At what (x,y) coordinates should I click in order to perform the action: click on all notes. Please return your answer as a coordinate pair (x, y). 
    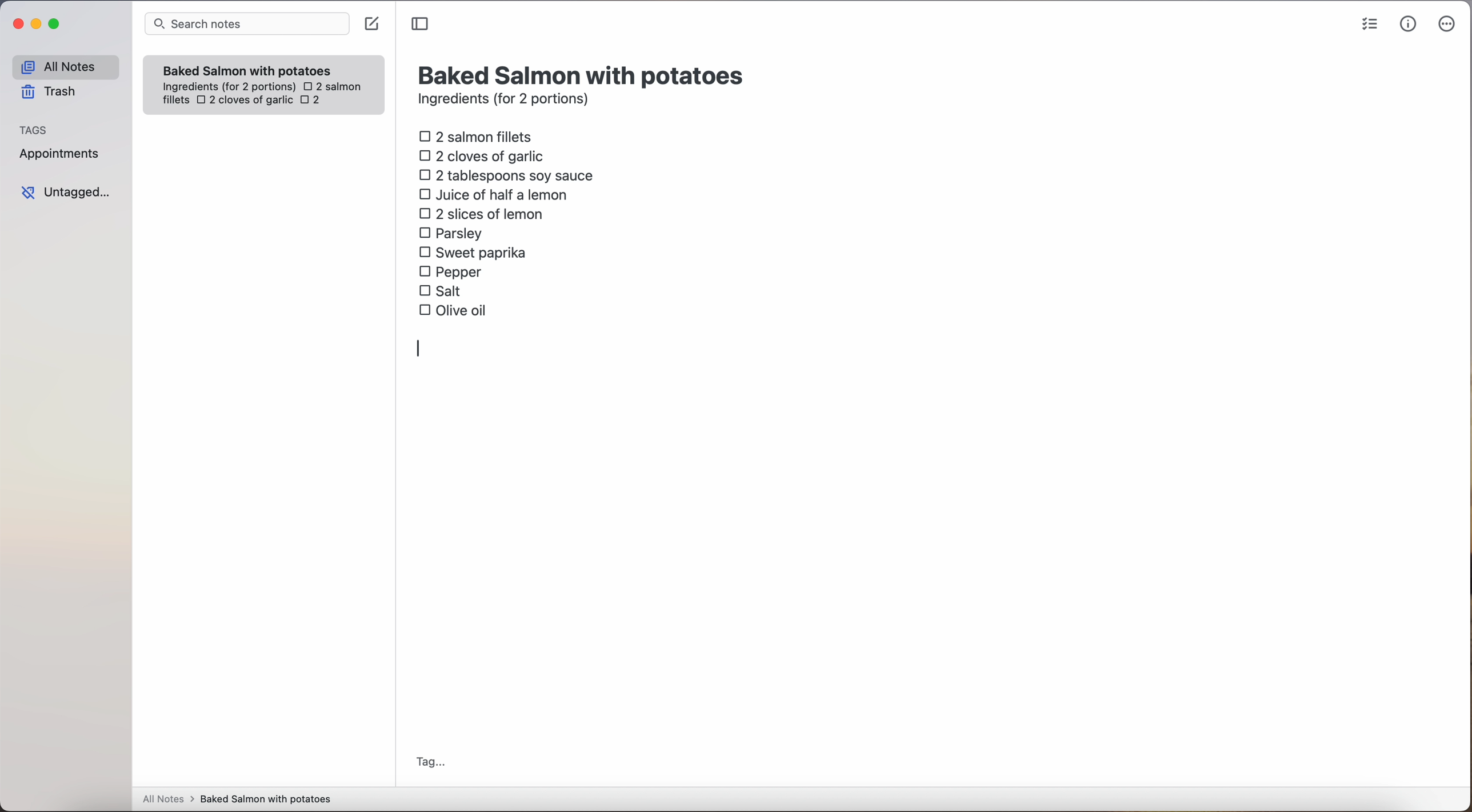
    Looking at the image, I should click on (65, 66).